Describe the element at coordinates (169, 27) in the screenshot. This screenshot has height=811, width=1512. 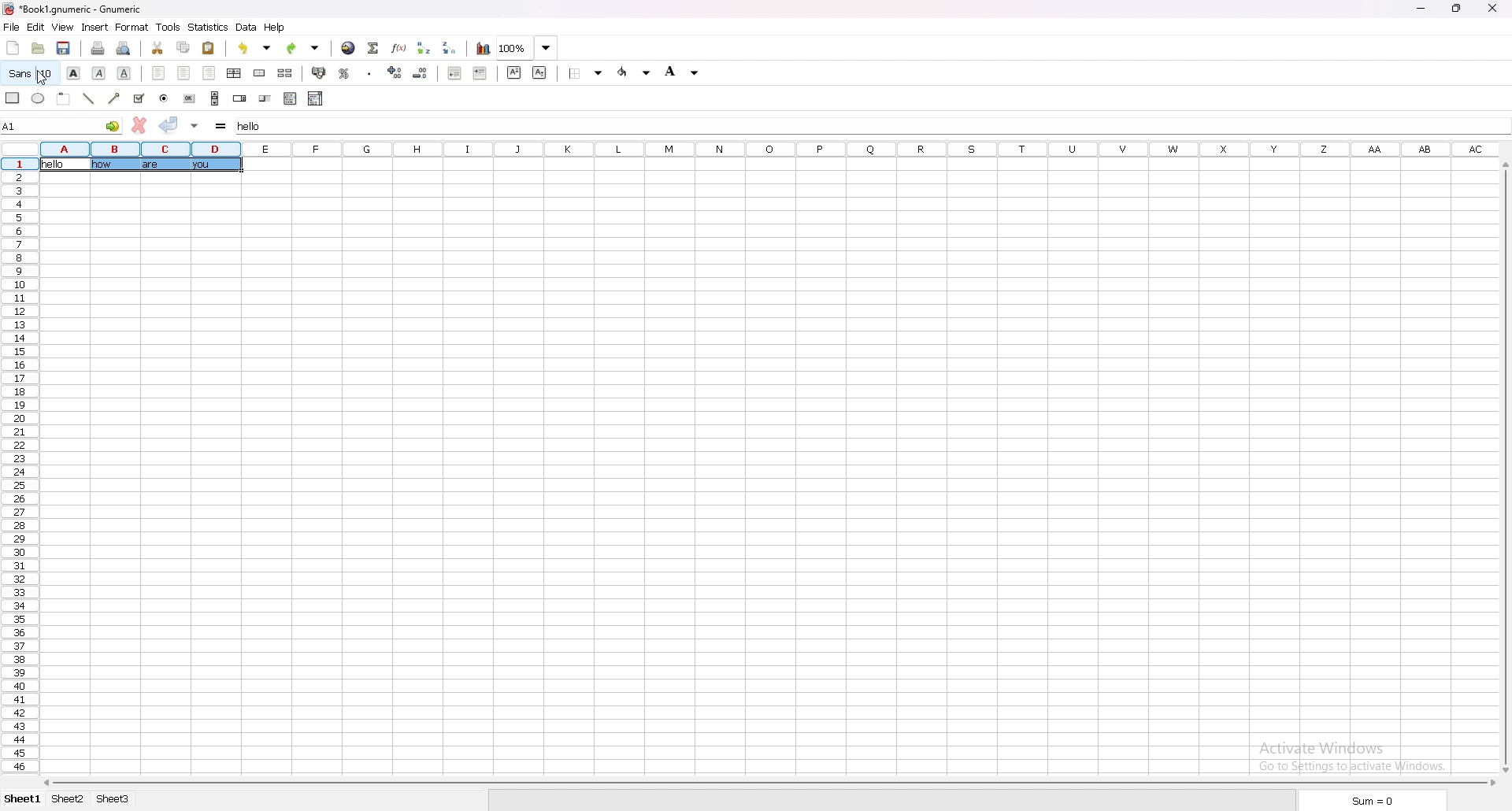
I see `tools` at that location.